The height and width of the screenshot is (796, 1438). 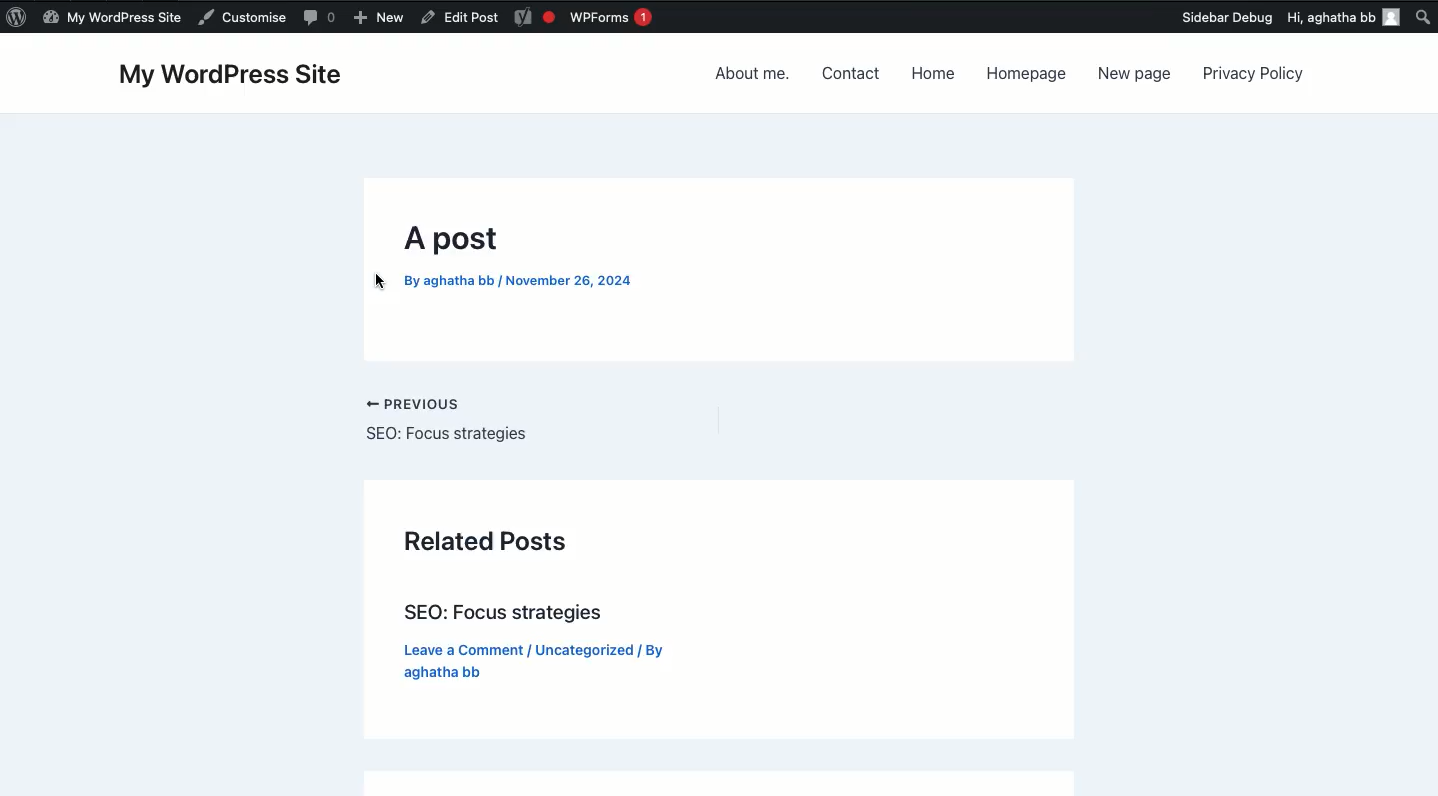 I want to click on WPForms, so click(x=612, y=19).